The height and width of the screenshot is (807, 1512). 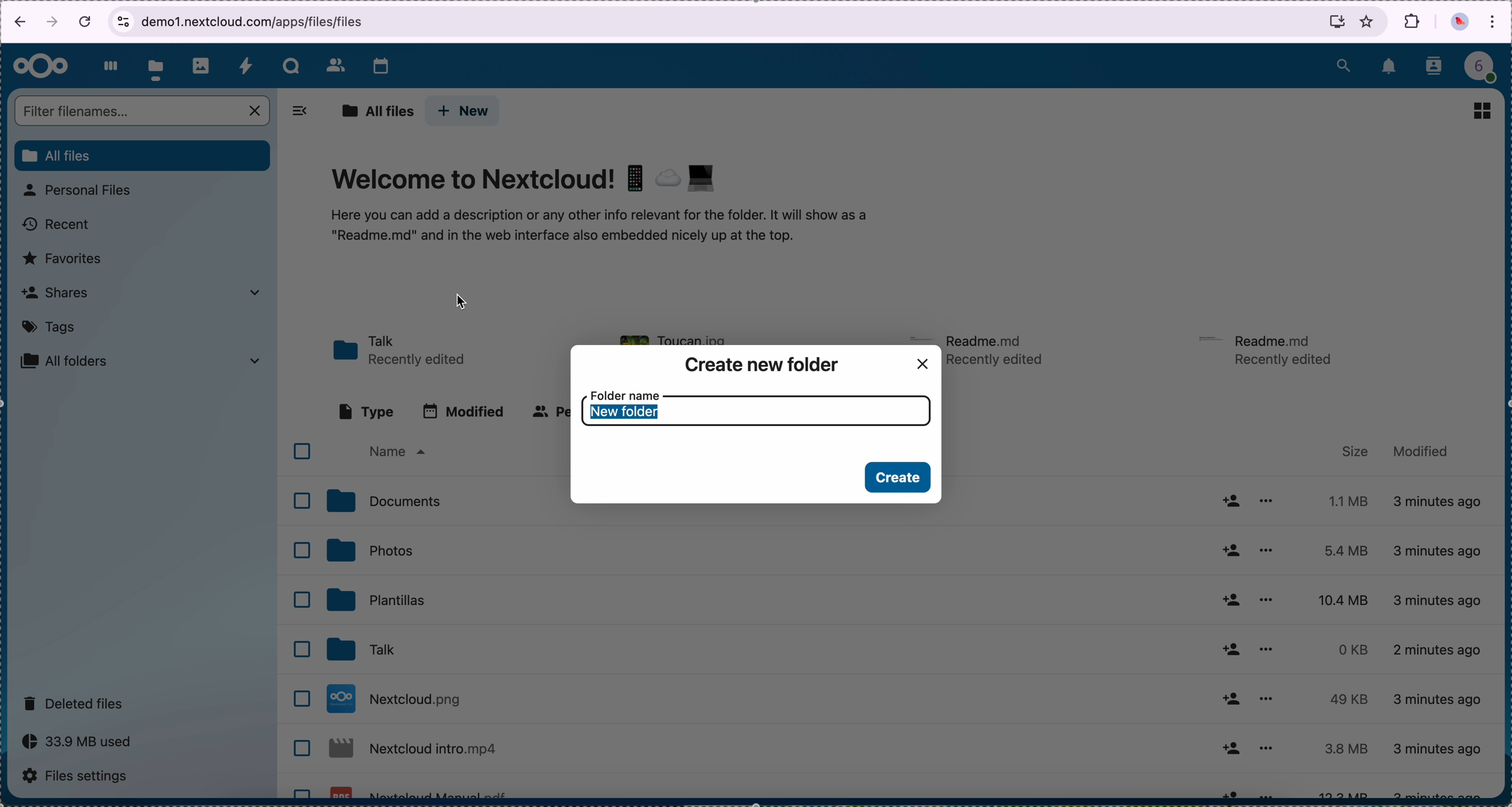 What do you see at coordinates (1231, 601) in the screenshot?
I see `share` at bounding box center [1231, 601].